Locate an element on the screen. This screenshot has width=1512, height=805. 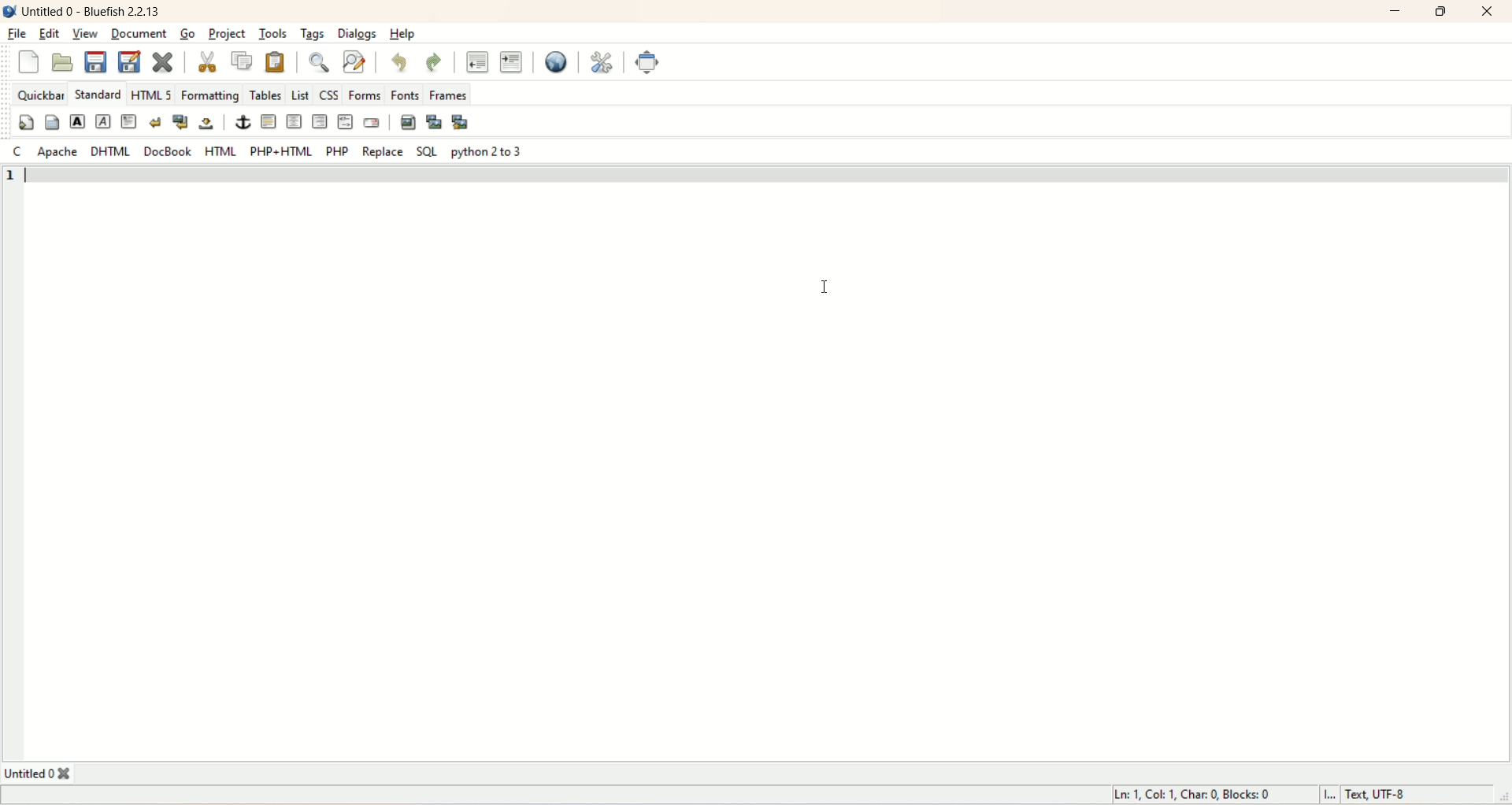
copy is located at coordinates (246, 62).